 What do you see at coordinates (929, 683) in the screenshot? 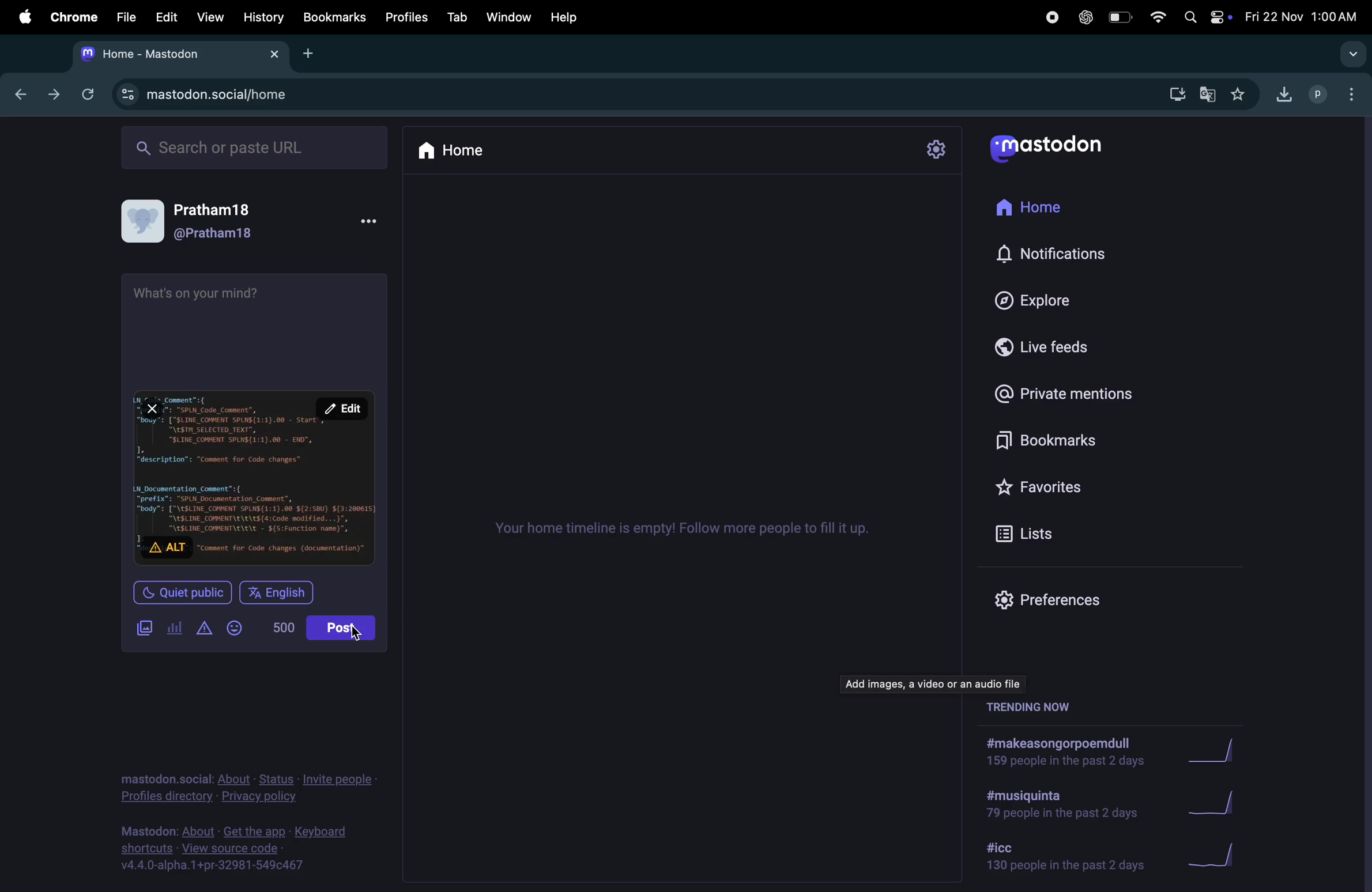
I see `add images` at bounding box center [929, 683].